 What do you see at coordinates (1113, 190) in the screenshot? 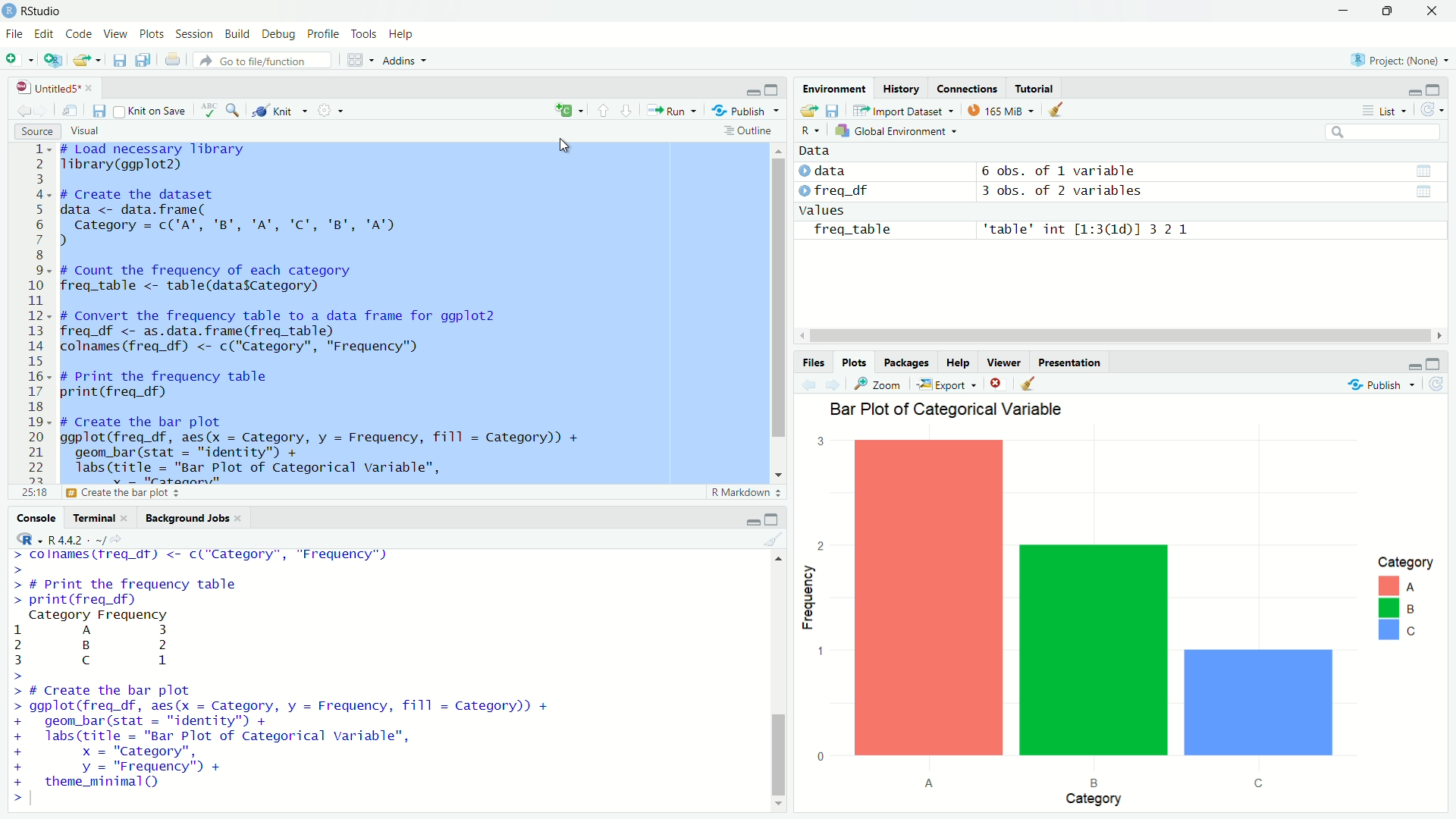
I see `Data © data 6 obs. of 1 variable© freq_df 3 obs. of 2 variablesvaluesfreq_table "table" int [1:3(1d)] 321` at bounding box center [1113, 190].